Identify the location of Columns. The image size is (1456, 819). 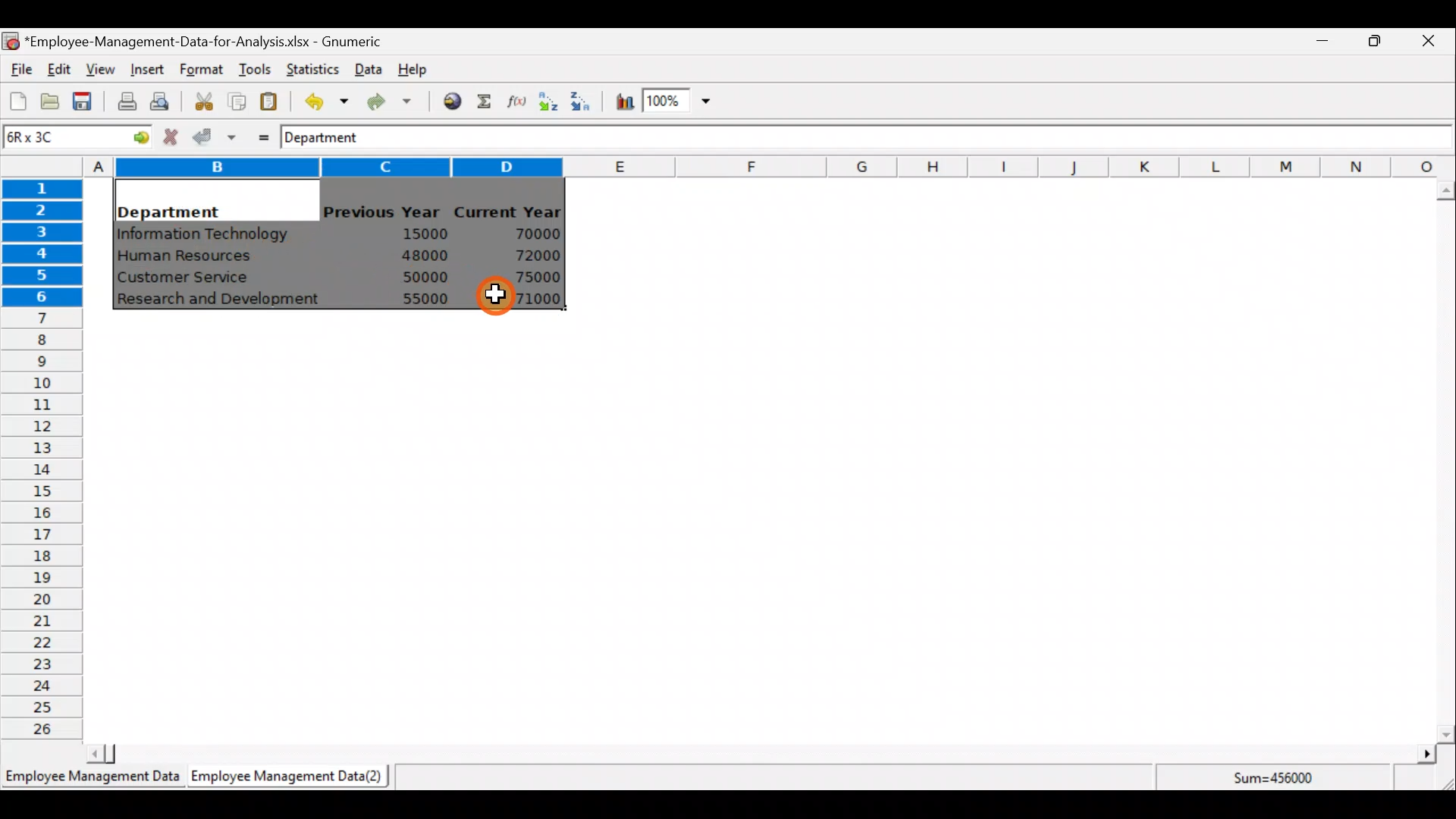
(769, 168).